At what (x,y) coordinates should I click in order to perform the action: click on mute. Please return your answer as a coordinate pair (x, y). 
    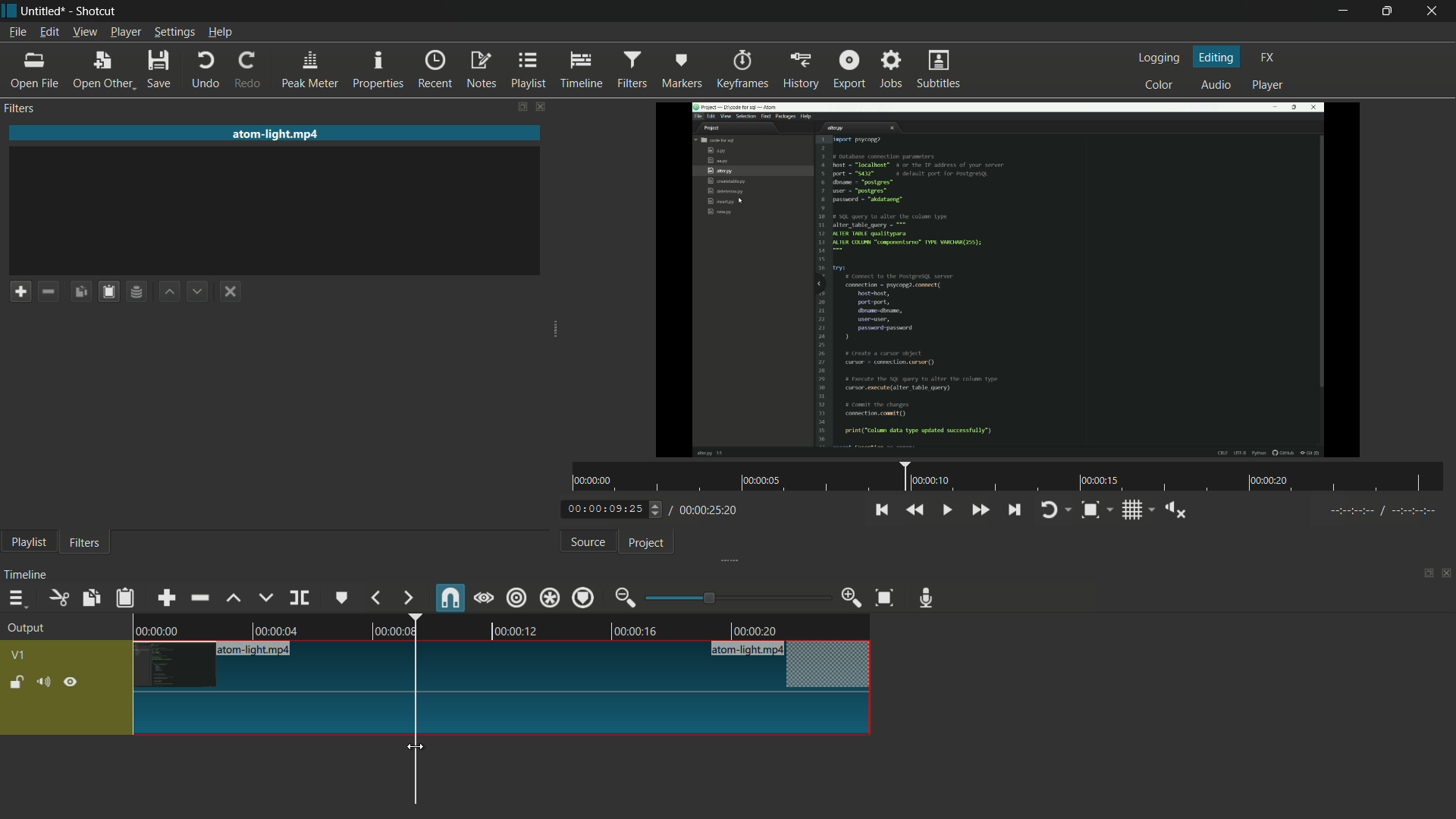
    Looking at the image, I should click on (42, 681).